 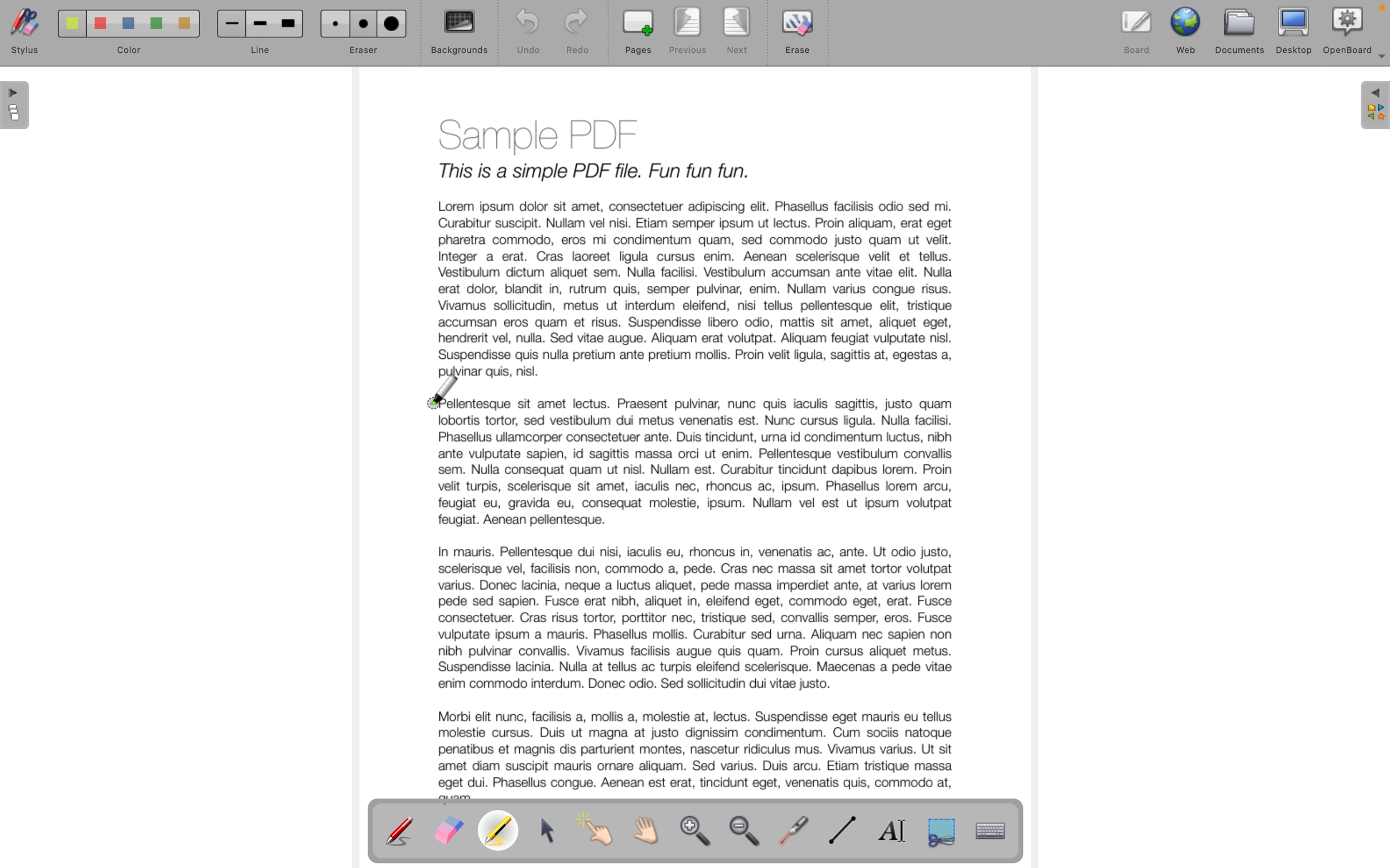 What do you see at coordinates (501, 832) in the screenshot?
I see `highligth` at bounding box center [501, 832].